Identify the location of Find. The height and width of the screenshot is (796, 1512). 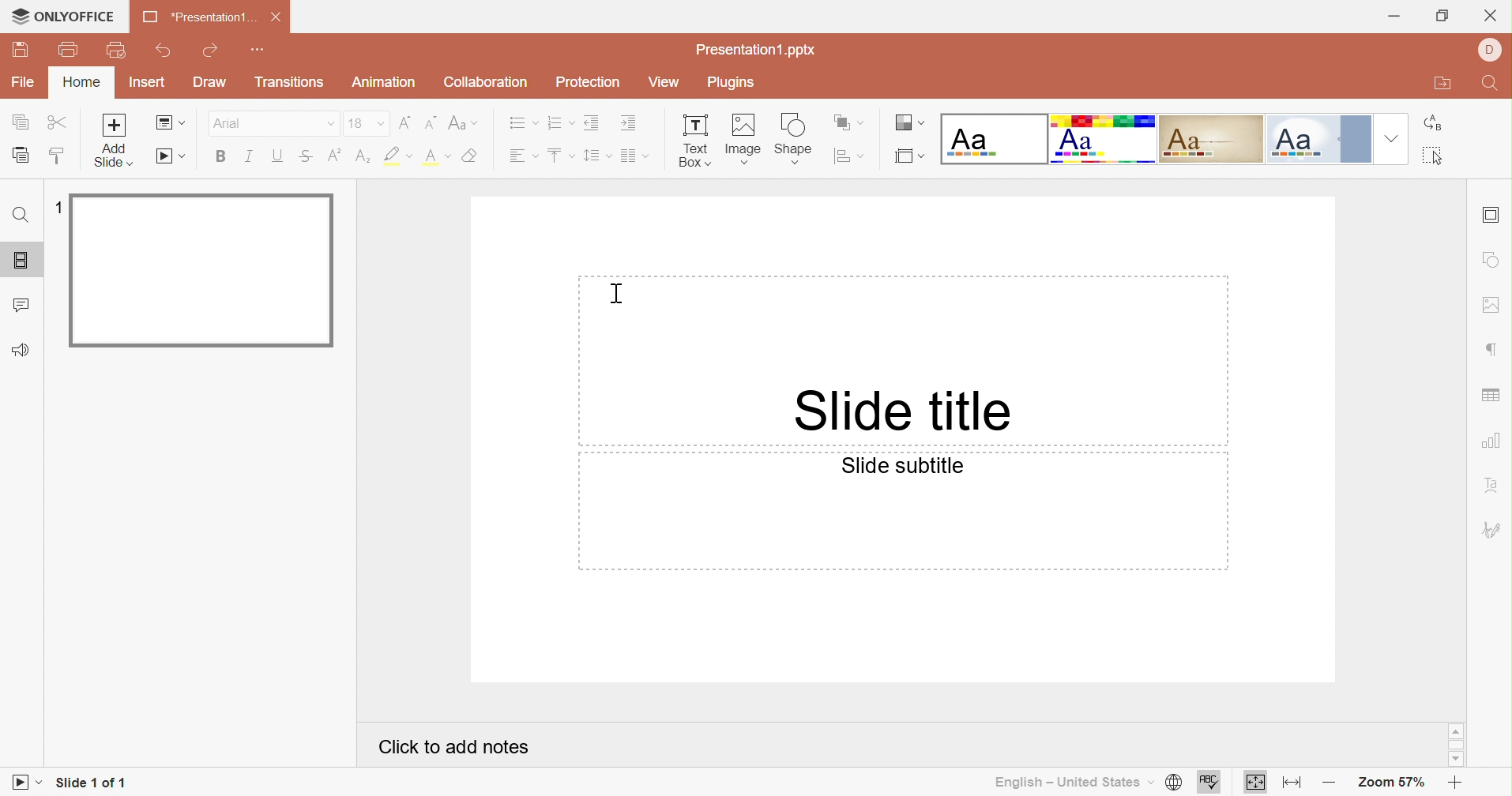
(18, 217).